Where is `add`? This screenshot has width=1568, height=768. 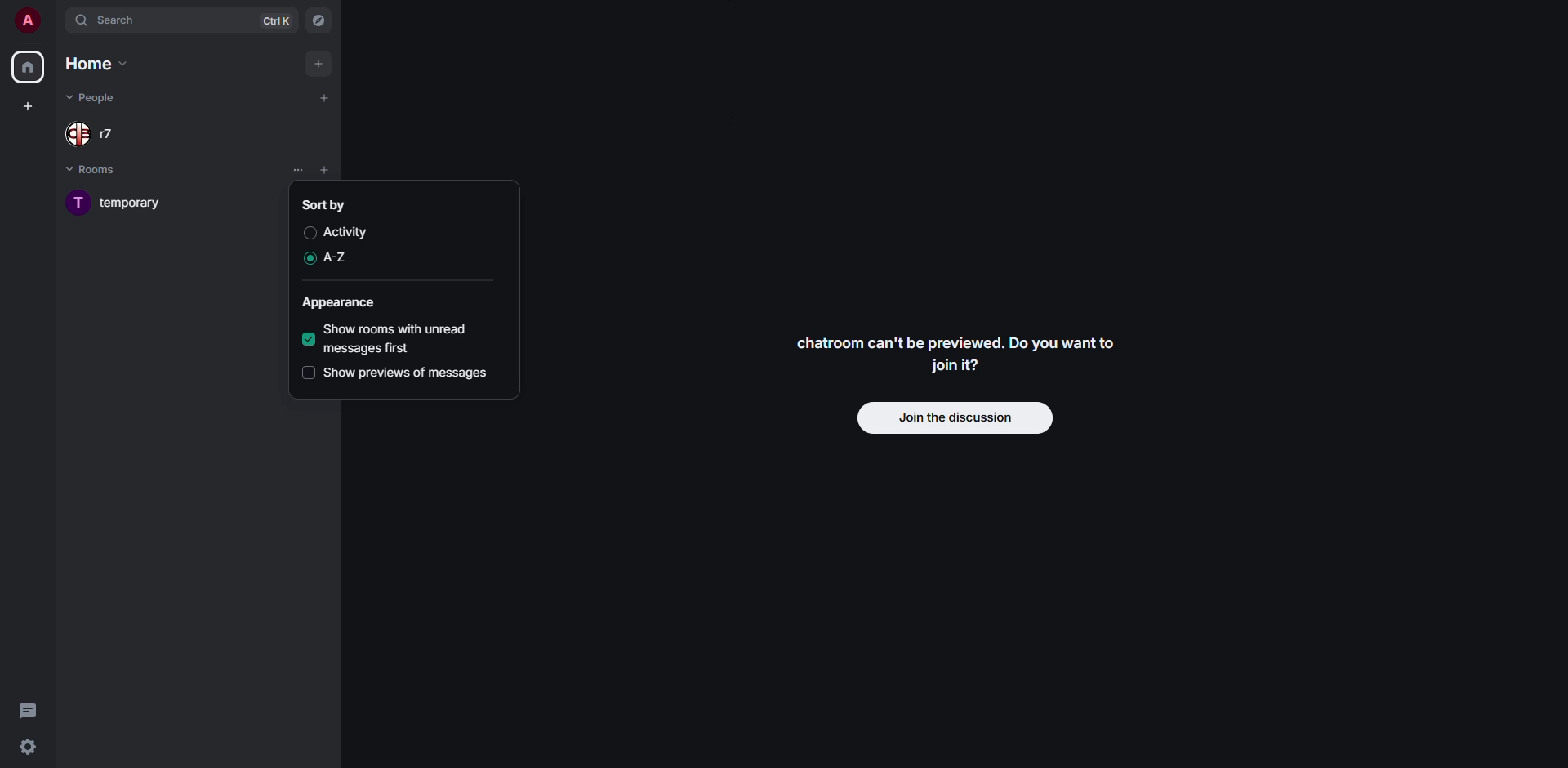
add is located at coordinates (325, 98).